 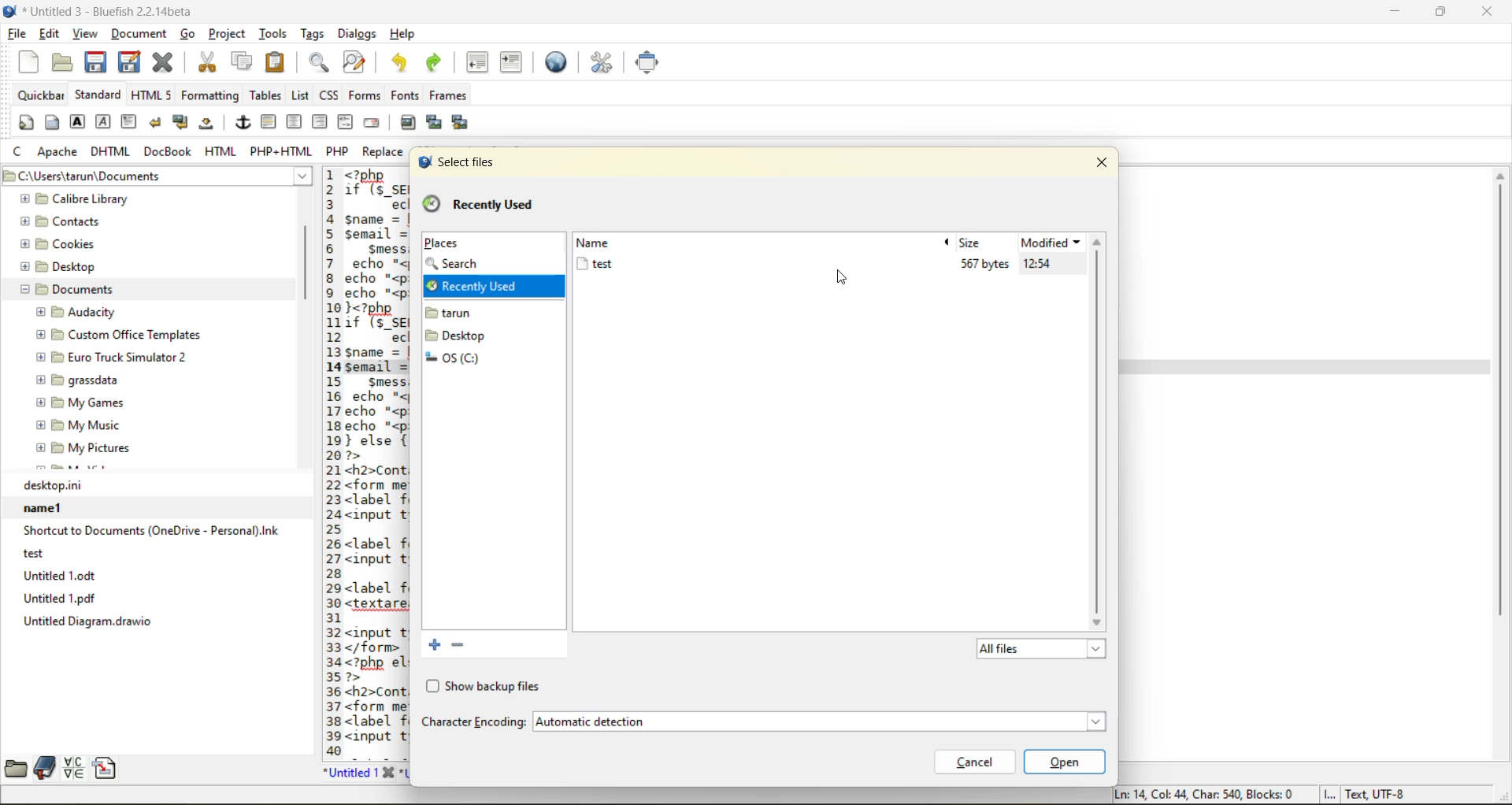 I want to click on docbook, so click(x=169, y=153).